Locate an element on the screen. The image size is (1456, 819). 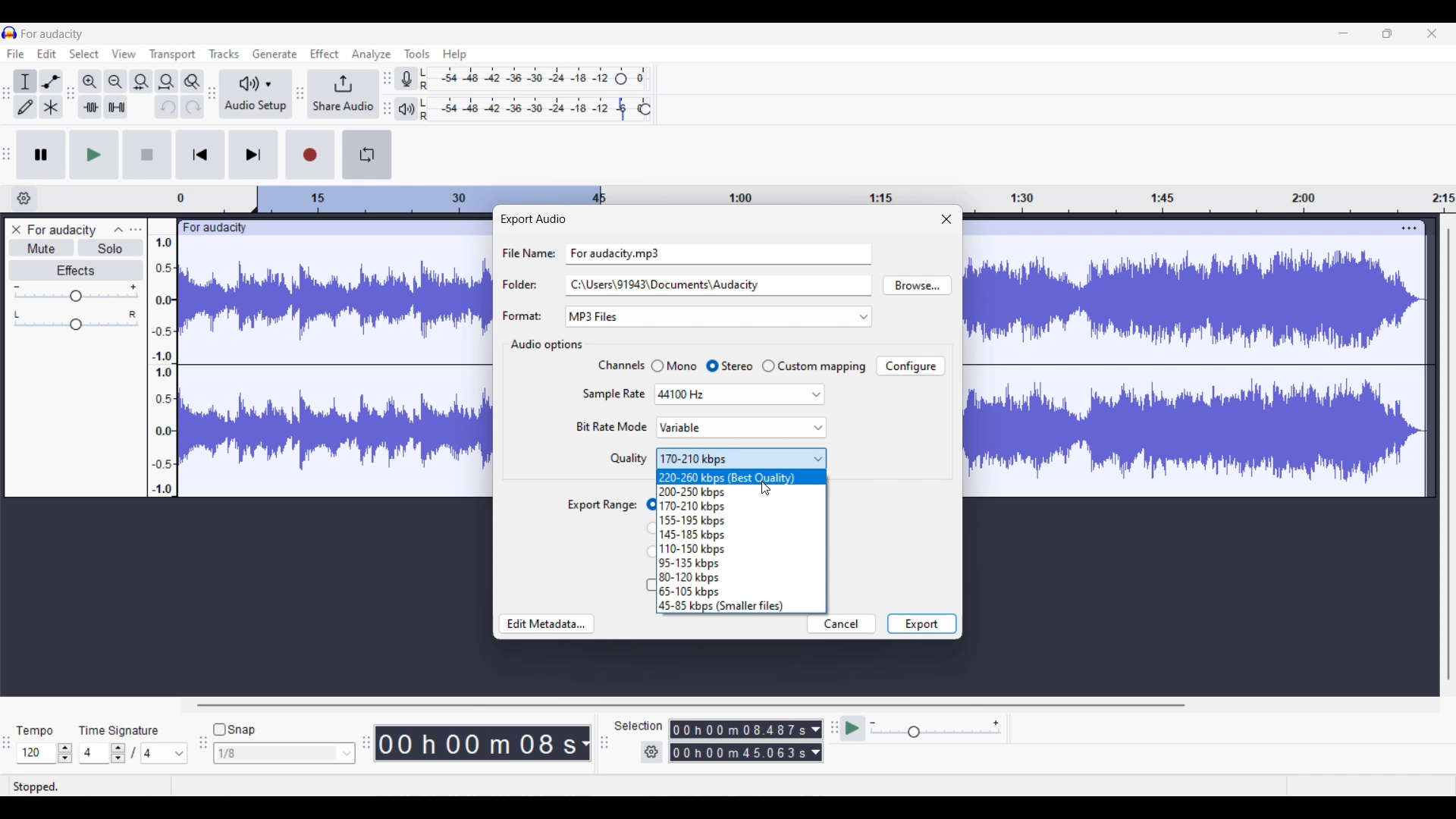
Indicates time signature settings is located at coordinates (119, 730).